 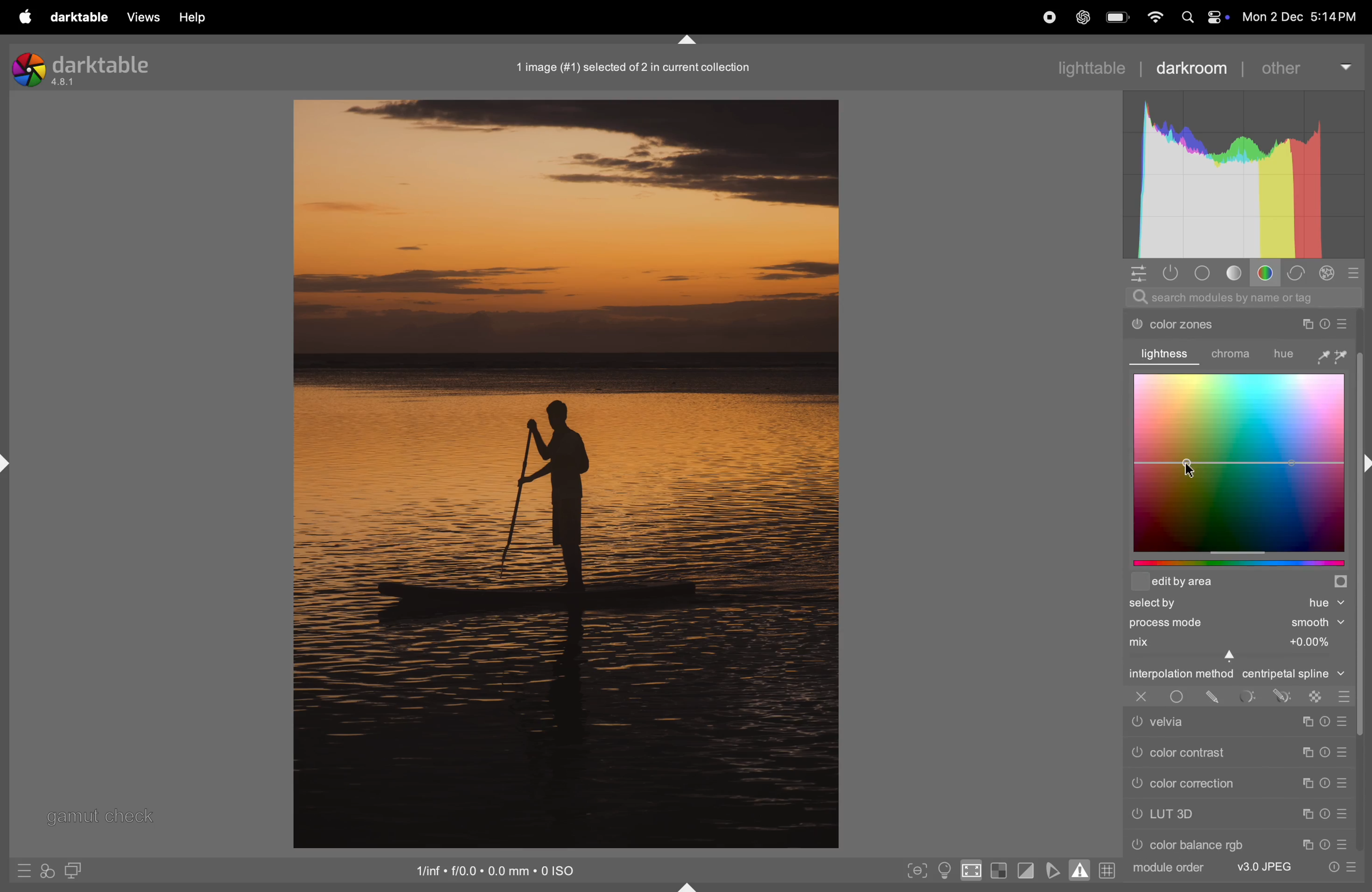 What do you see at coordinates (1118, 16) in the screenshot?
I see `battery` at bounding box center [1118, 16].